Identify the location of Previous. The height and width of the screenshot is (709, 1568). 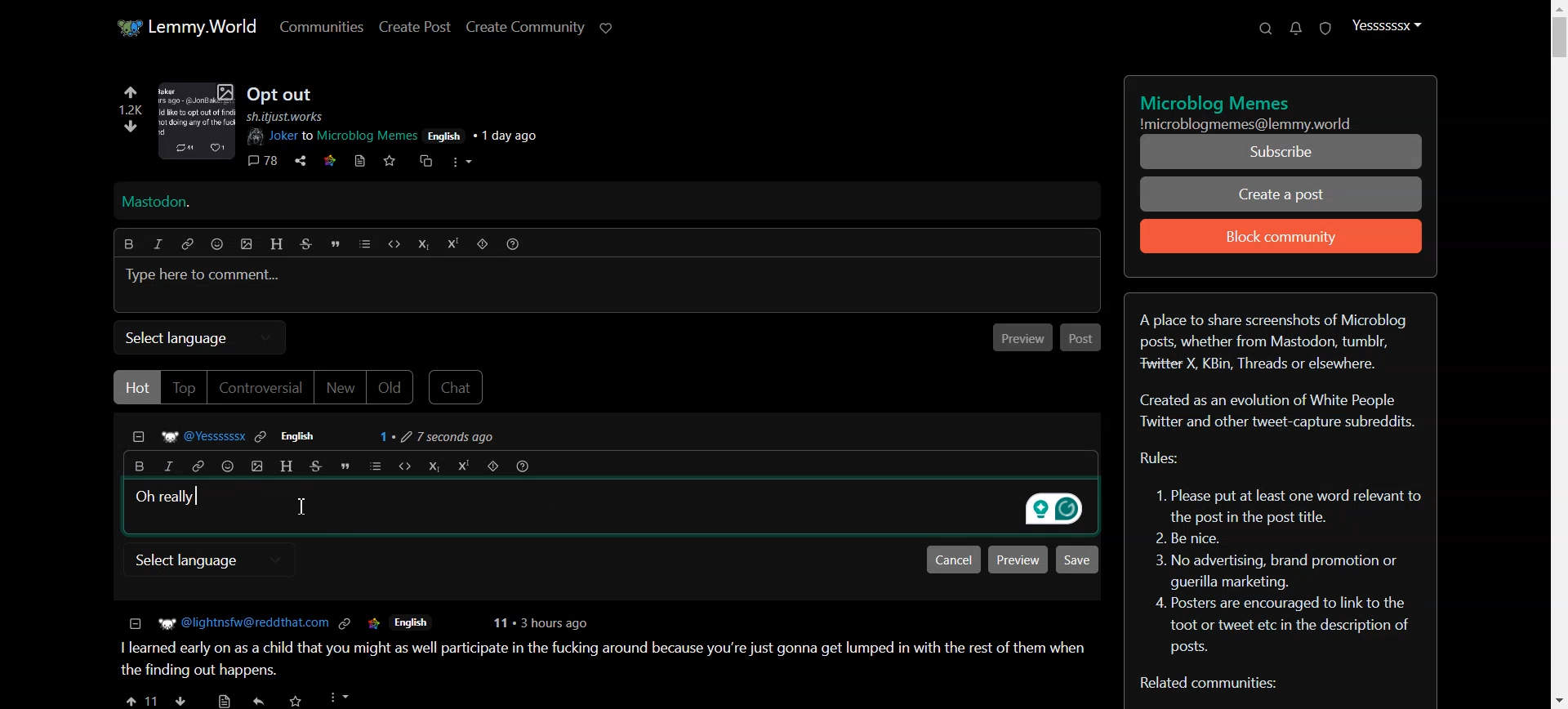
(1021, 337).